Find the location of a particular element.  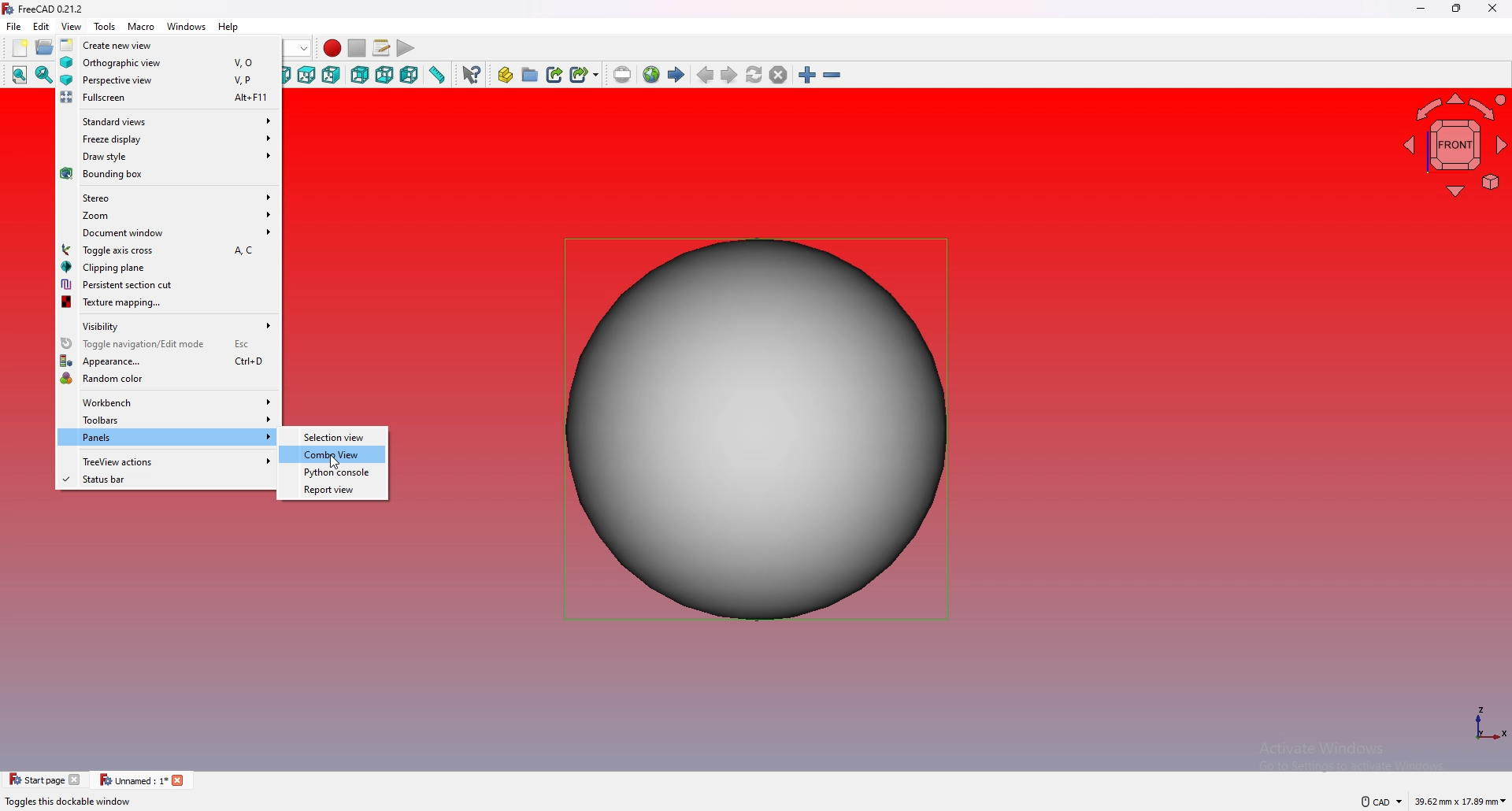

refresh webpage is located at coordinates (754, 74).